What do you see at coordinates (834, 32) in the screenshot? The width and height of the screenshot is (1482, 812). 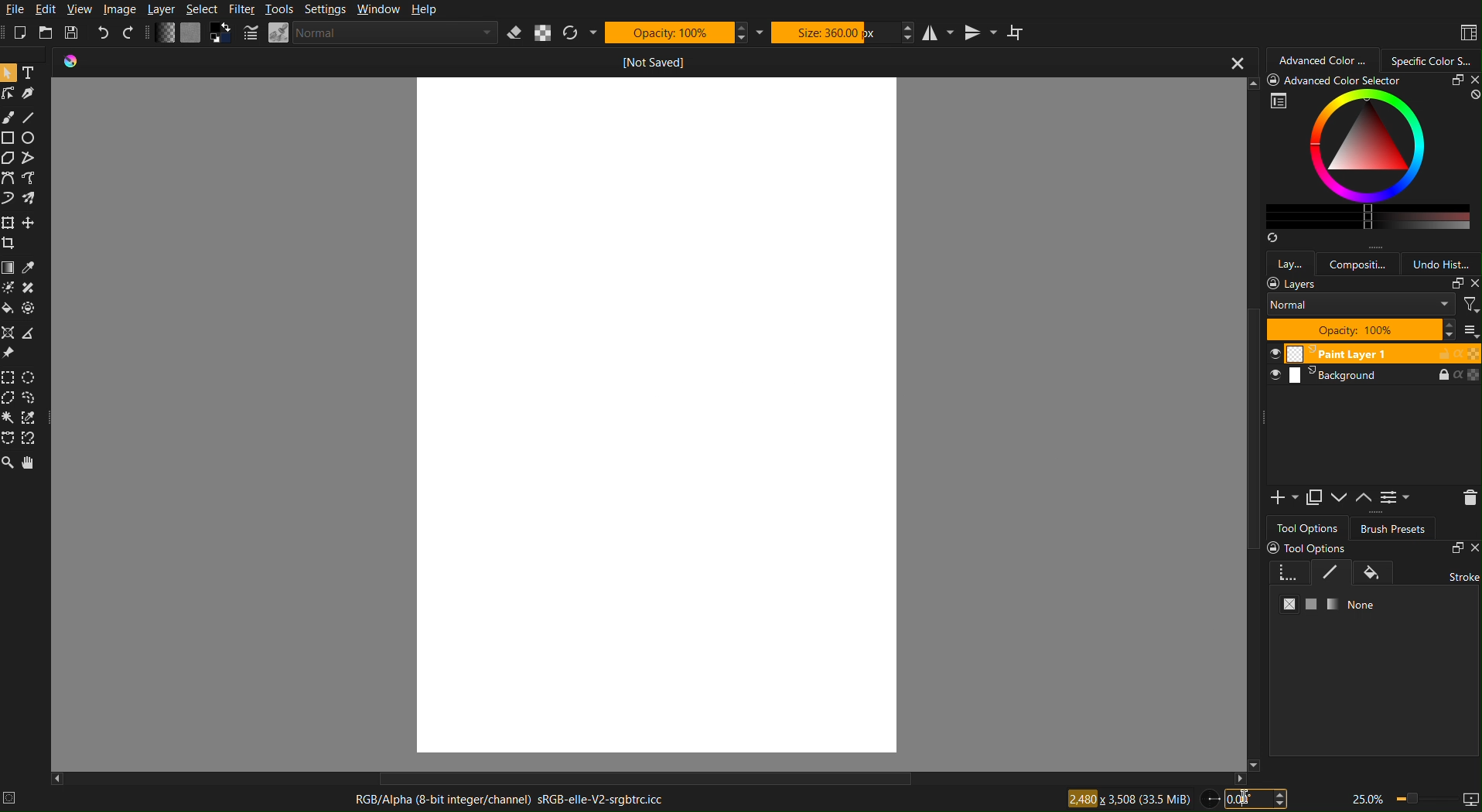 I see `Size` at bounding box center [834, 32].